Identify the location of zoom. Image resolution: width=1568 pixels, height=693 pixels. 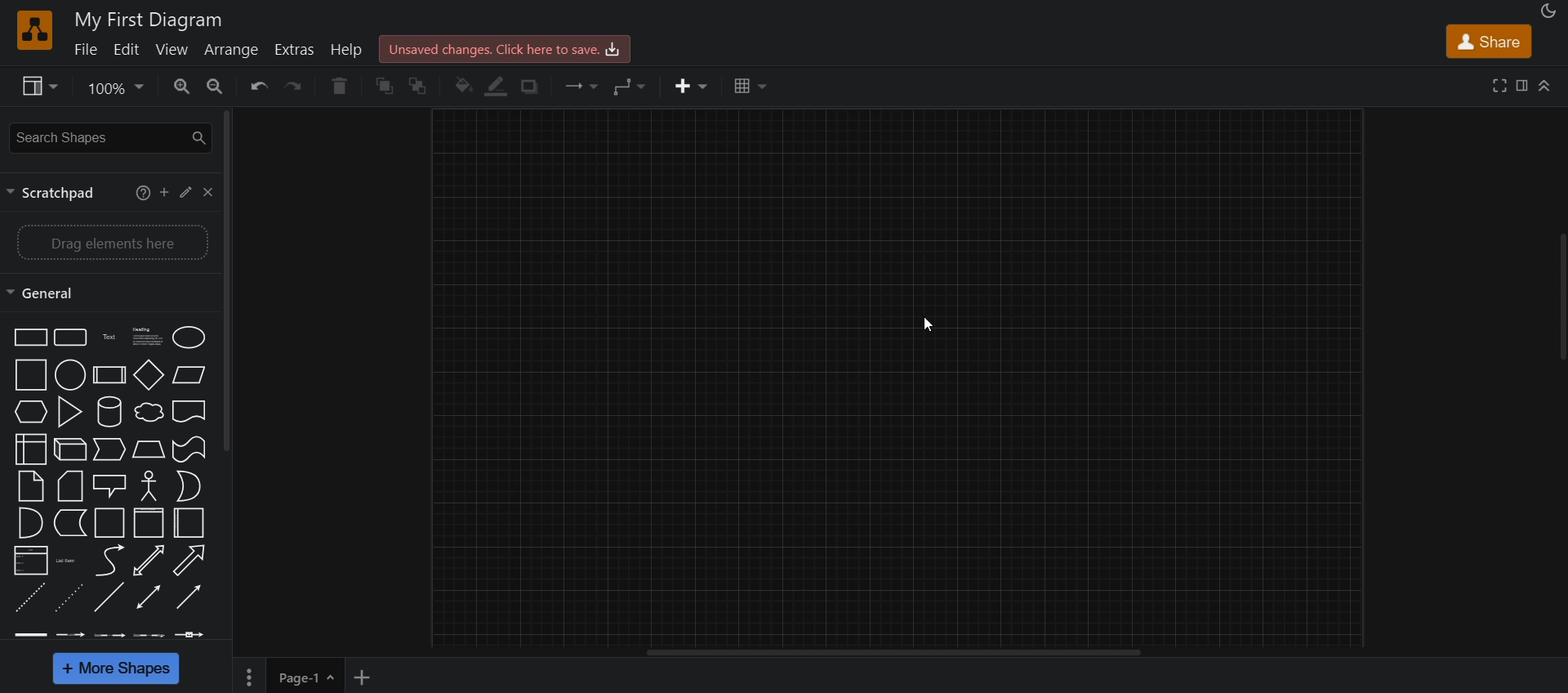
(113, 90).